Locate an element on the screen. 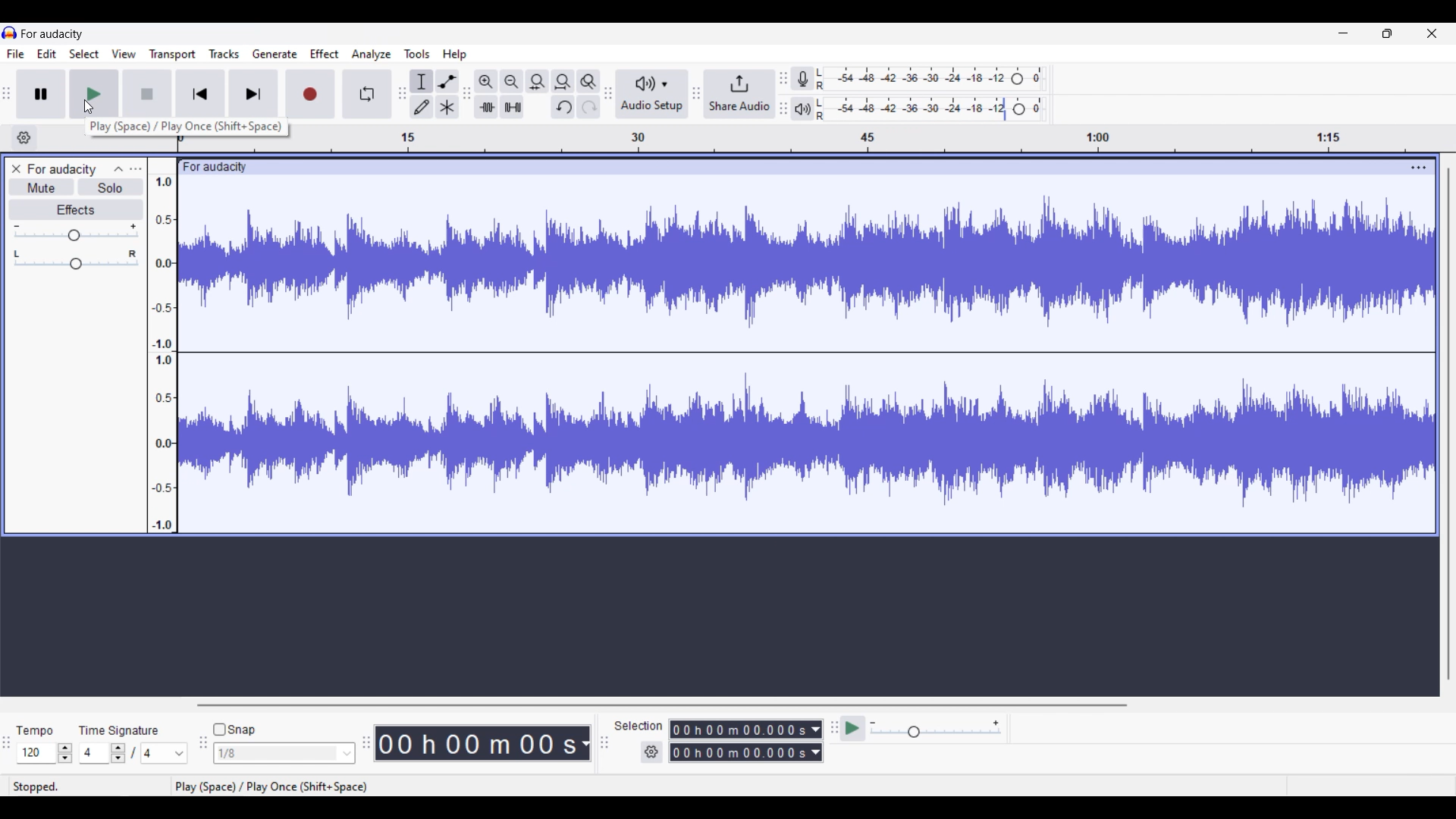 The width and height of the screenshot is (1456, 819). Draw tool is located at coordinates (422, 107).